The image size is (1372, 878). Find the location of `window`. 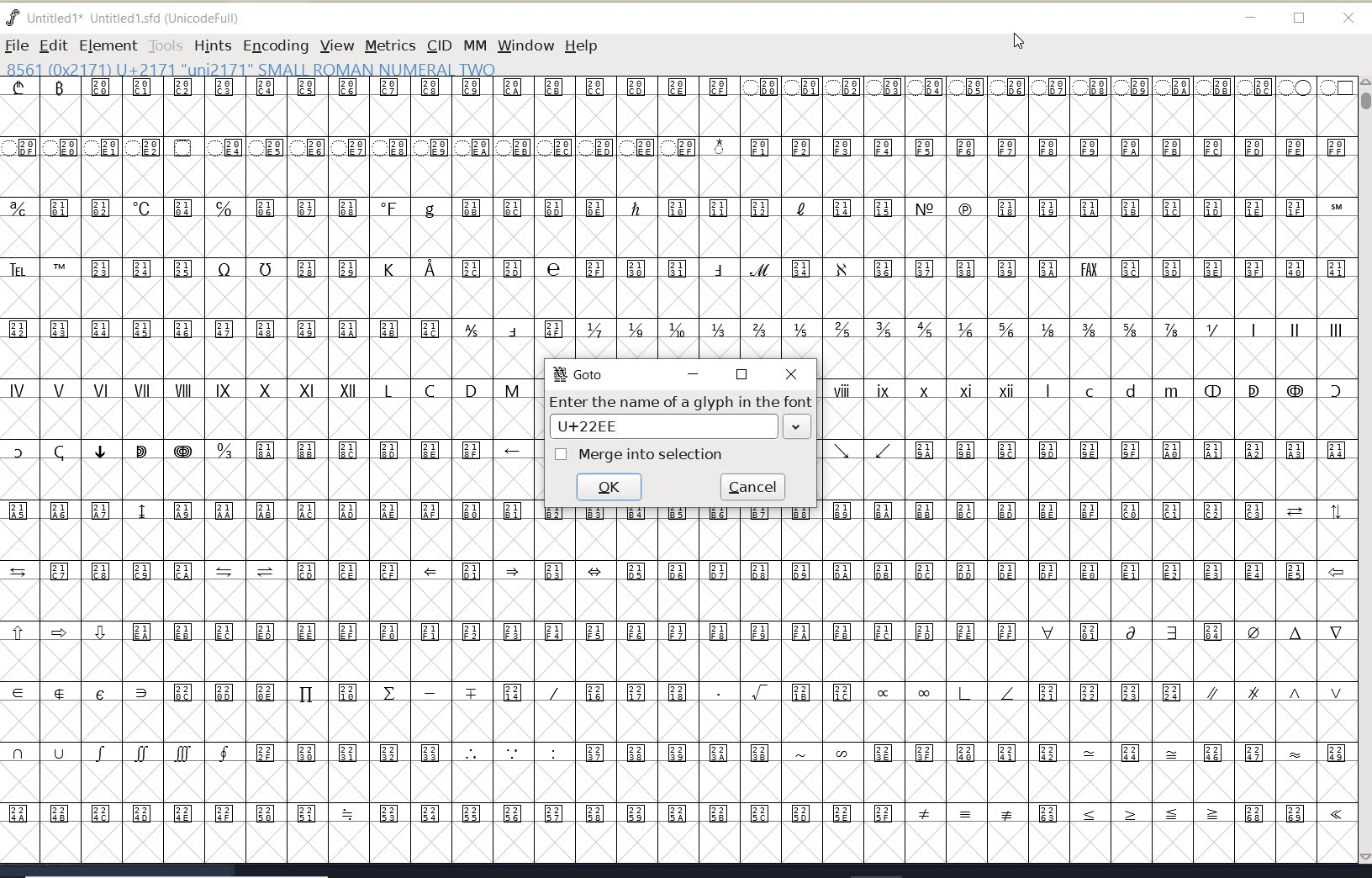

window is located at coordinates (525, 45).